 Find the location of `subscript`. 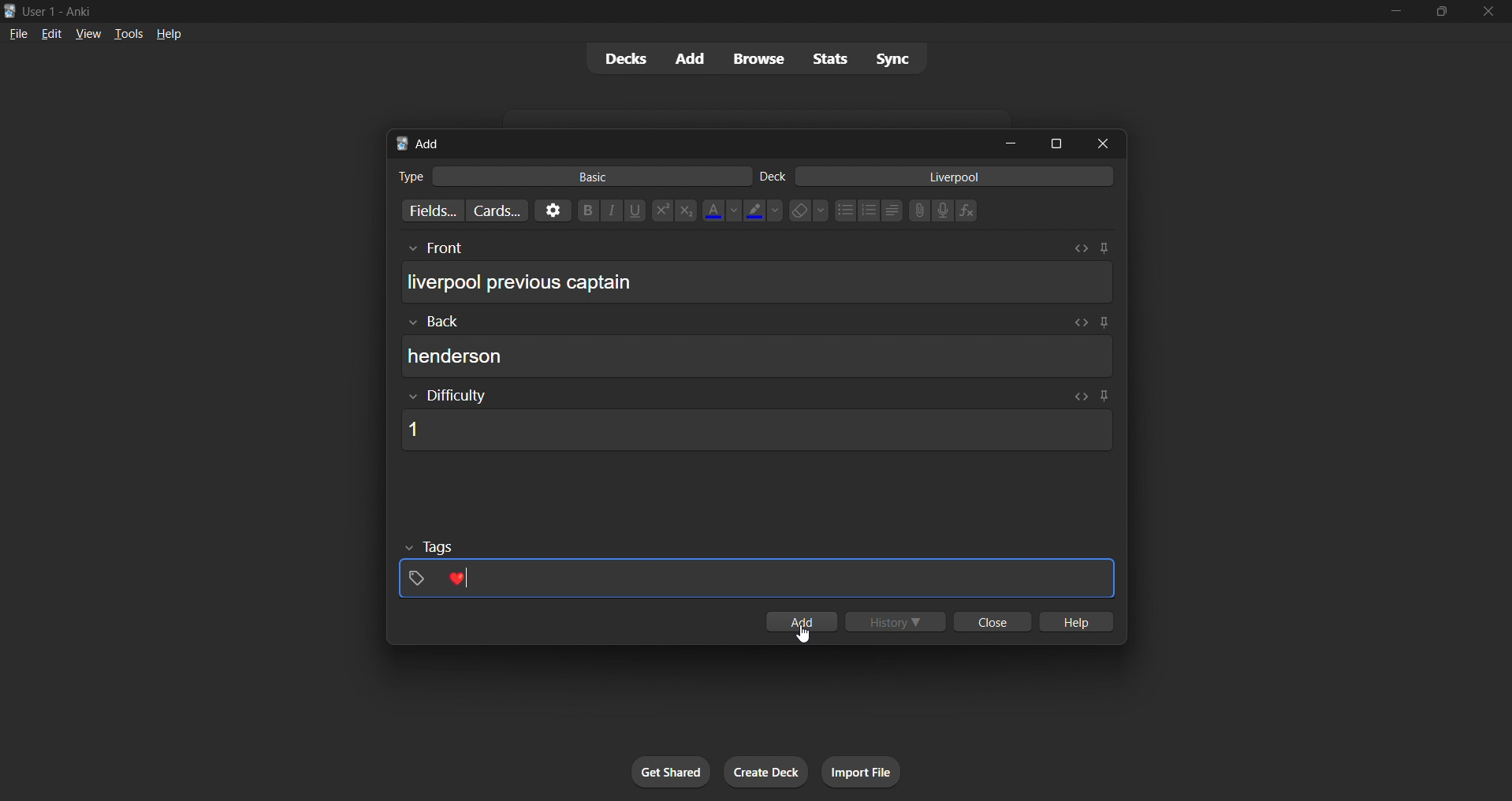

subscript is located at coordinates (684, 210).